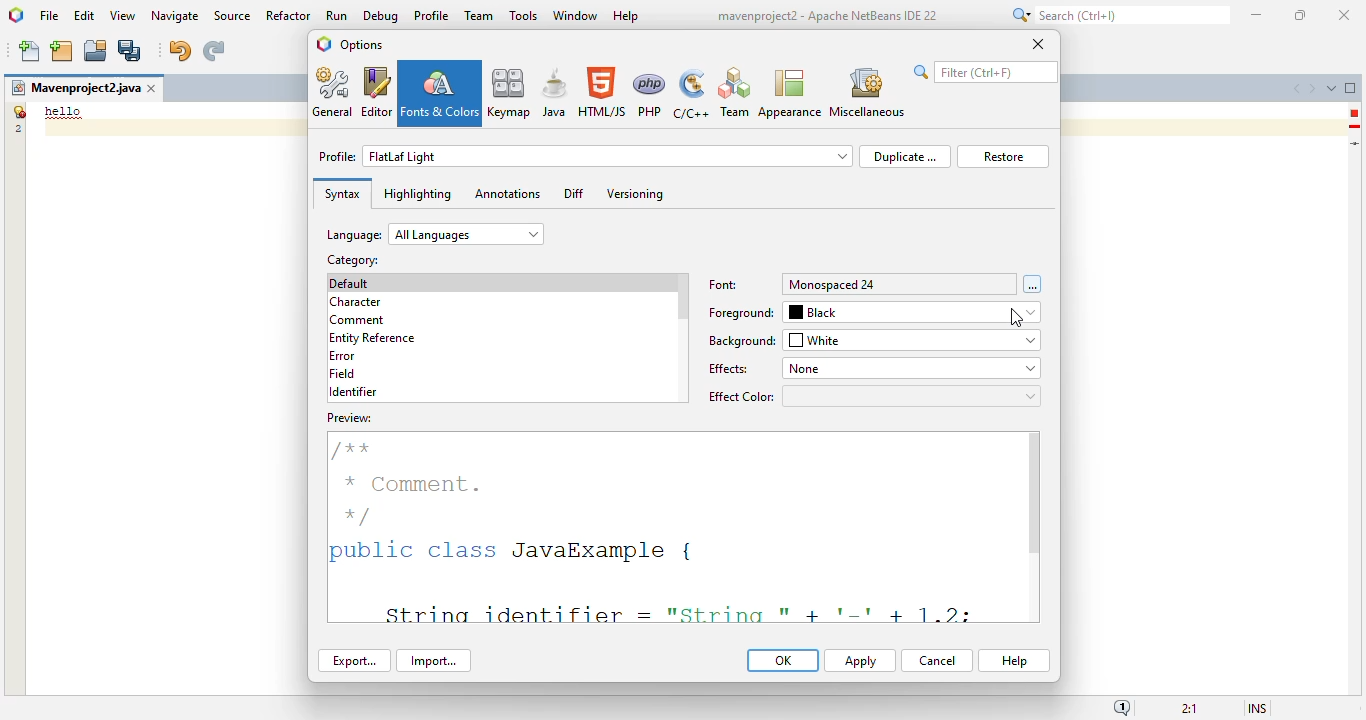  What do you see at coordinates (361, 44) in the screenshot?
I see `options` at bounding box center [361, 44].